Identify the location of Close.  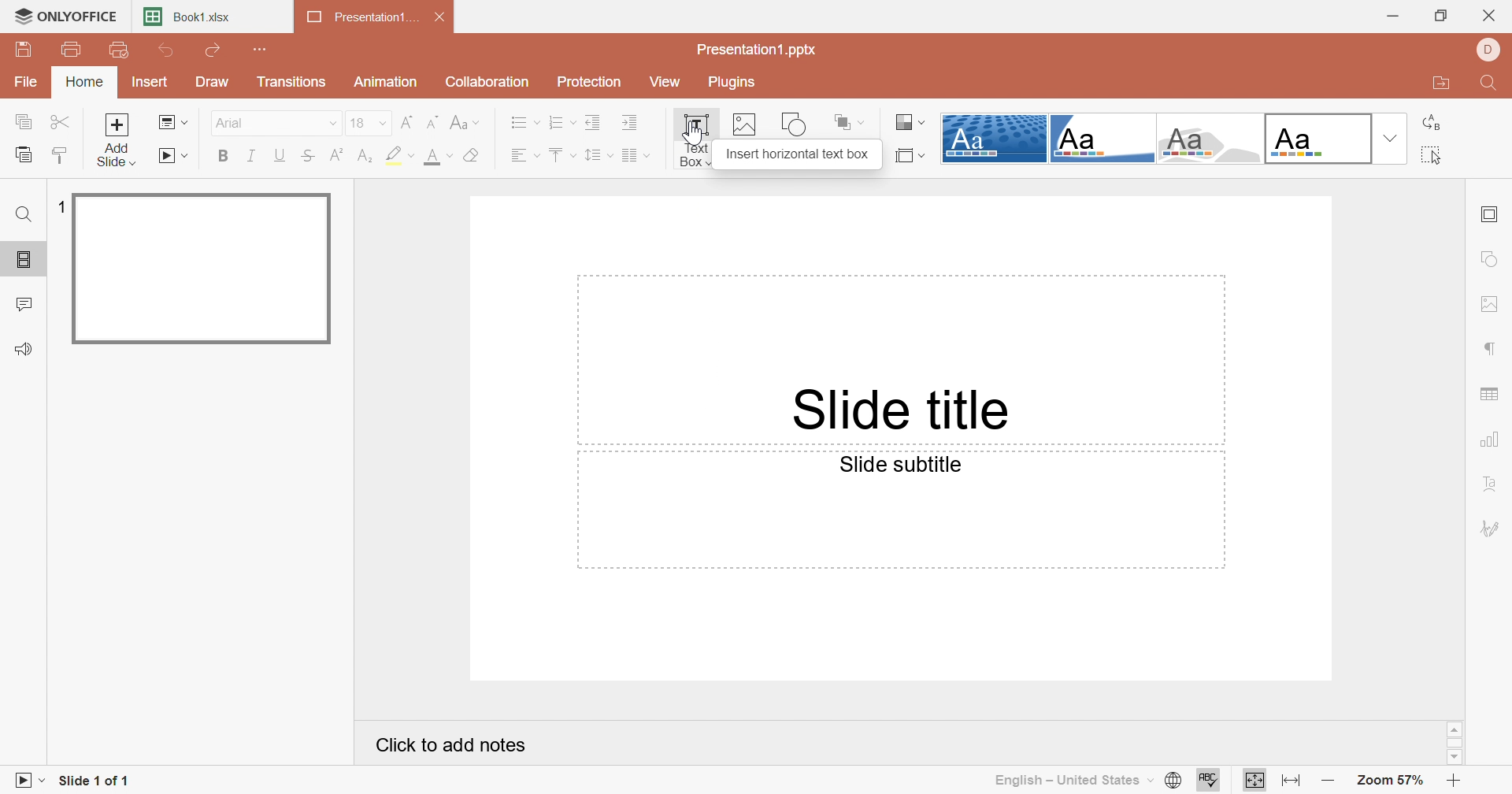
(439, 15).